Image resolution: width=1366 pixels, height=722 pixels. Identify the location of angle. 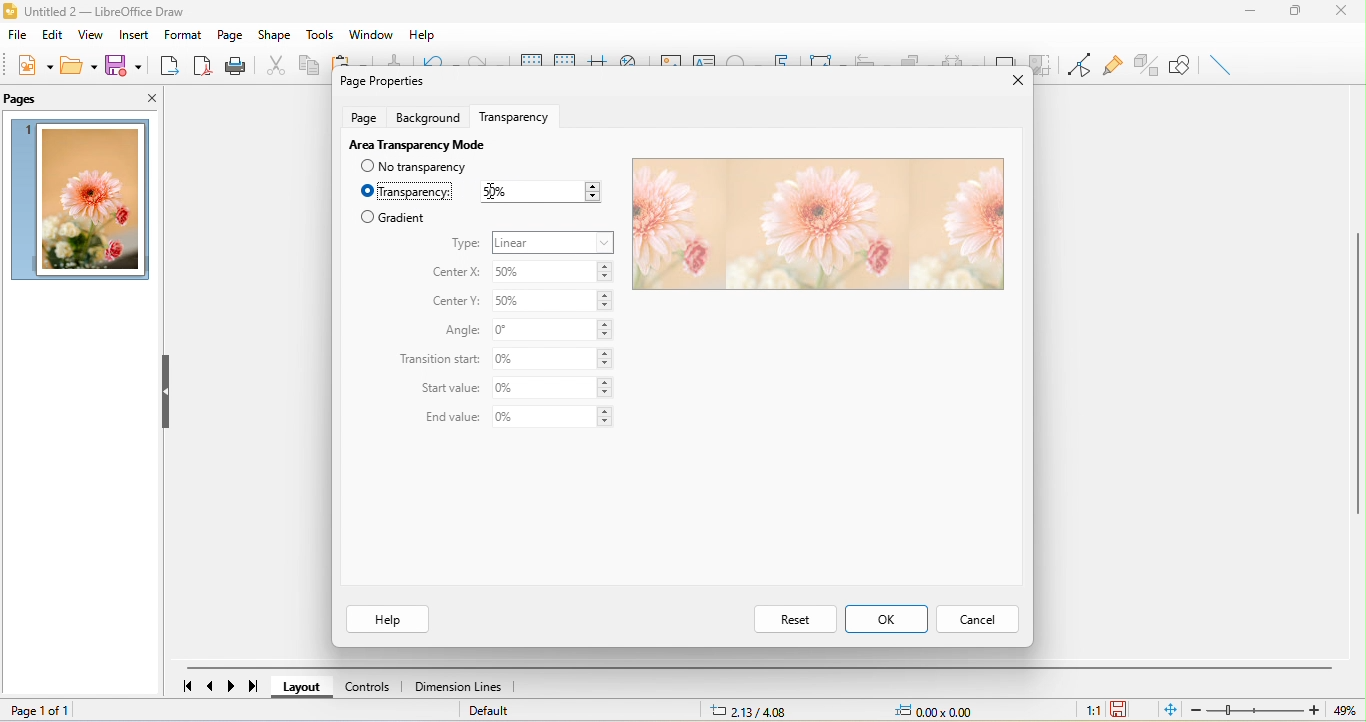
(458, 331).